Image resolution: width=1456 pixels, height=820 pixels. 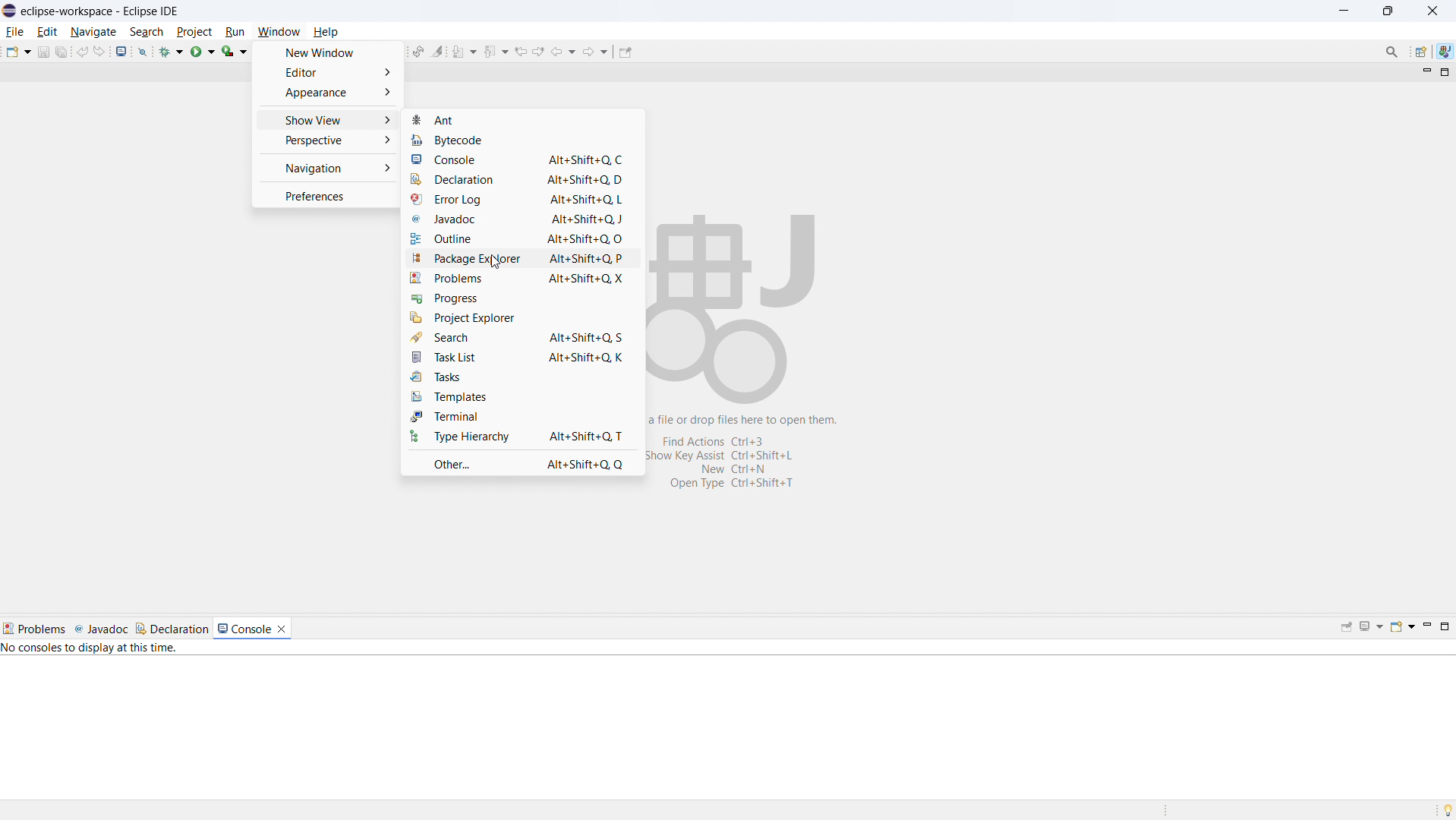 I want to click on error log, so click(x=518, y=200).